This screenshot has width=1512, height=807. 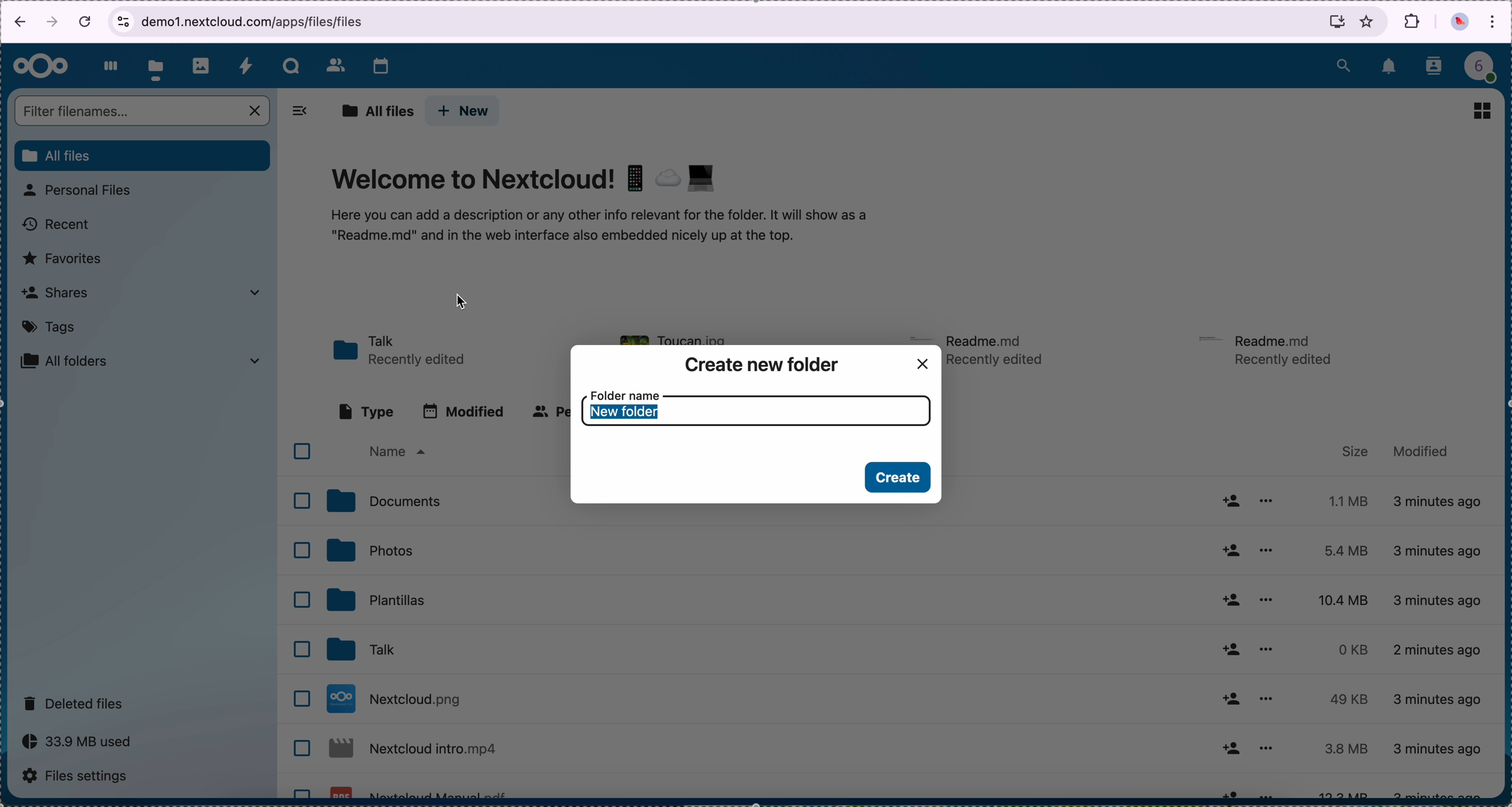 I want to click on search, so click(x=1343, y=63).